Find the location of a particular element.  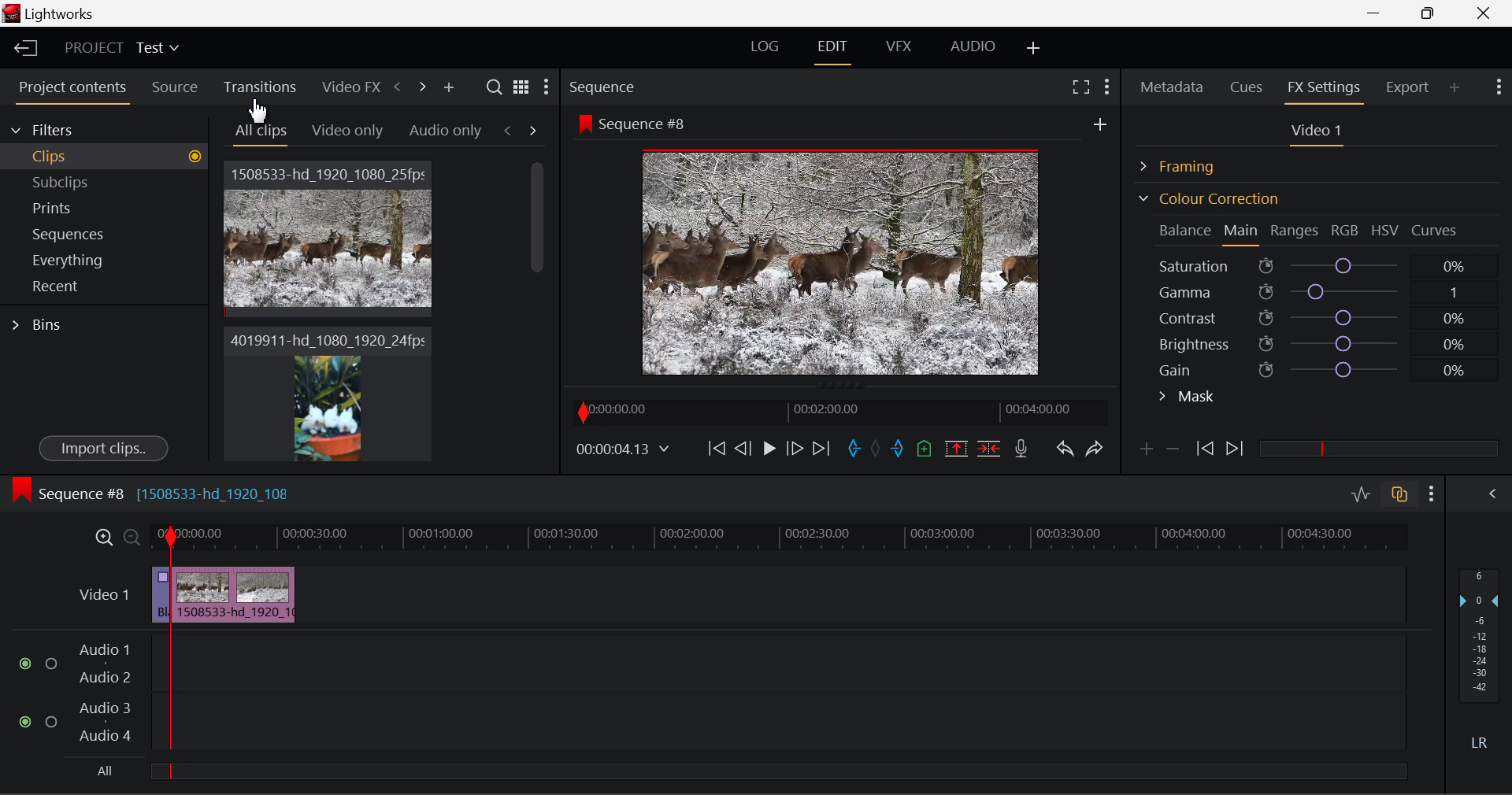

Clips Tab Open is located at coordinates (109, 156).